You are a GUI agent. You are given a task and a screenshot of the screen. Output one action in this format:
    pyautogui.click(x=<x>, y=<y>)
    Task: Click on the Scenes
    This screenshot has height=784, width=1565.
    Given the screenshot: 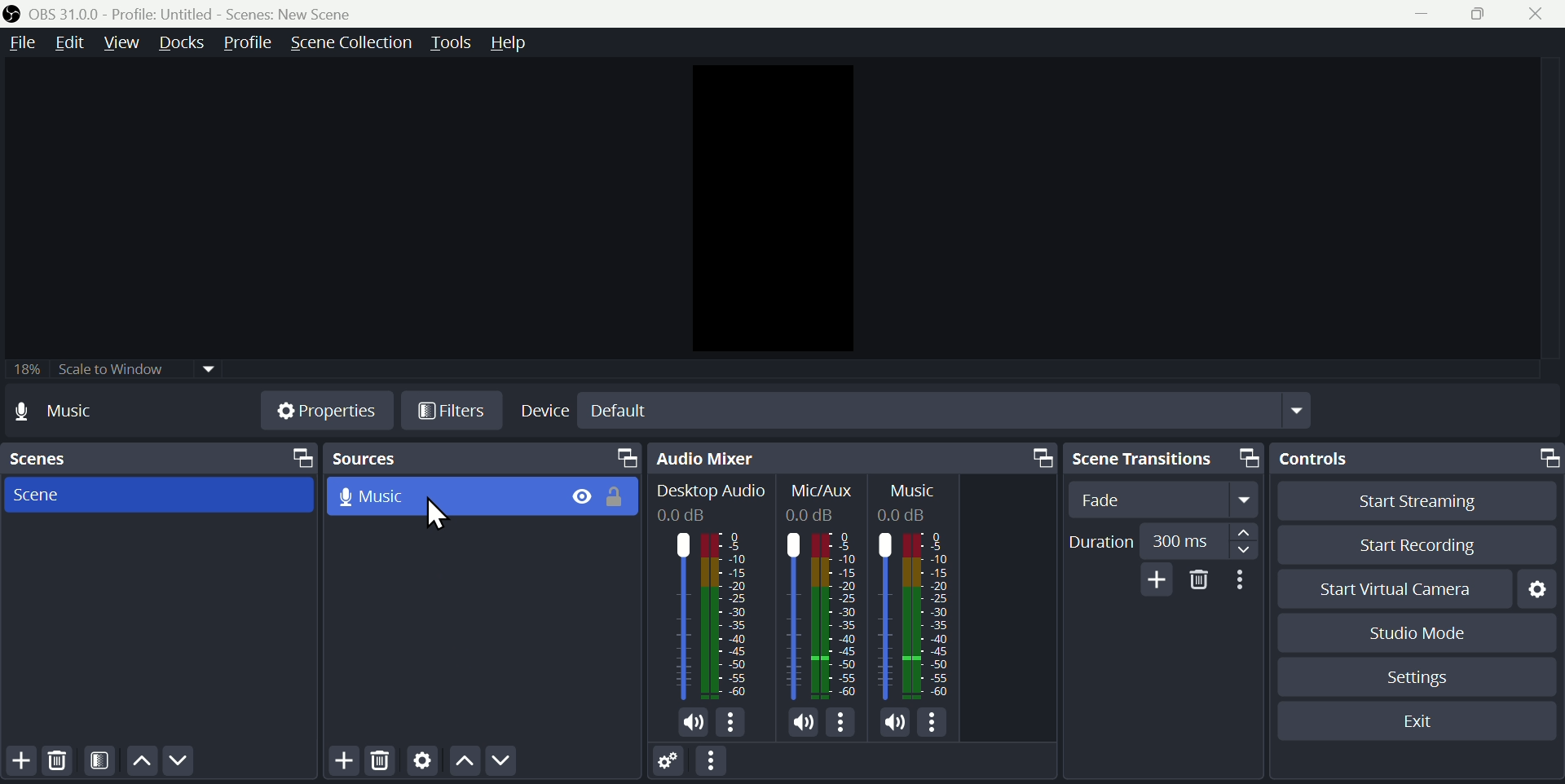 What is the action you would take?
    pyautogui.click(x=157, y=456)
    